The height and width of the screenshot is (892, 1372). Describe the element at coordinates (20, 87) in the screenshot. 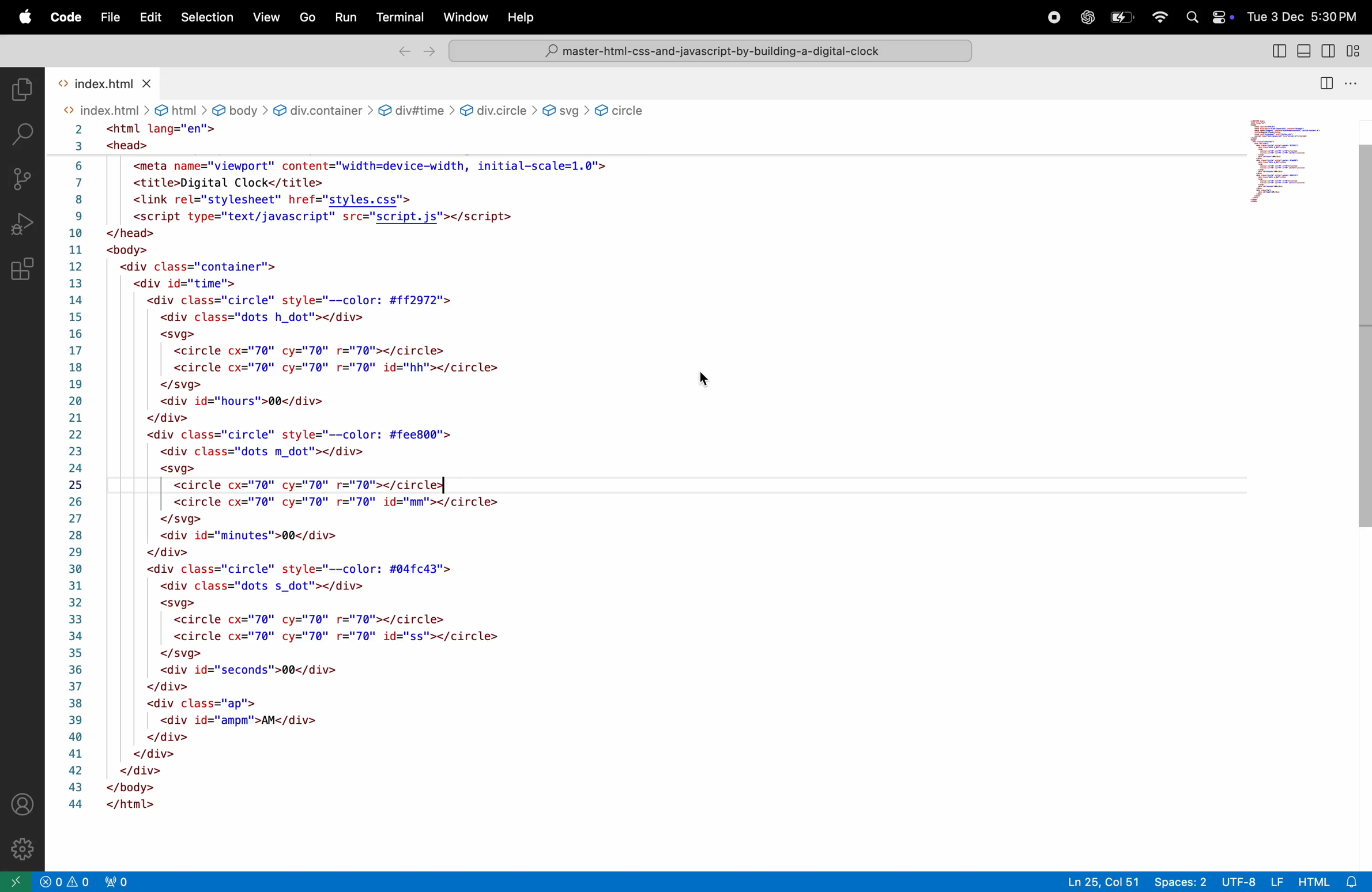

I see `explorer` at that location.